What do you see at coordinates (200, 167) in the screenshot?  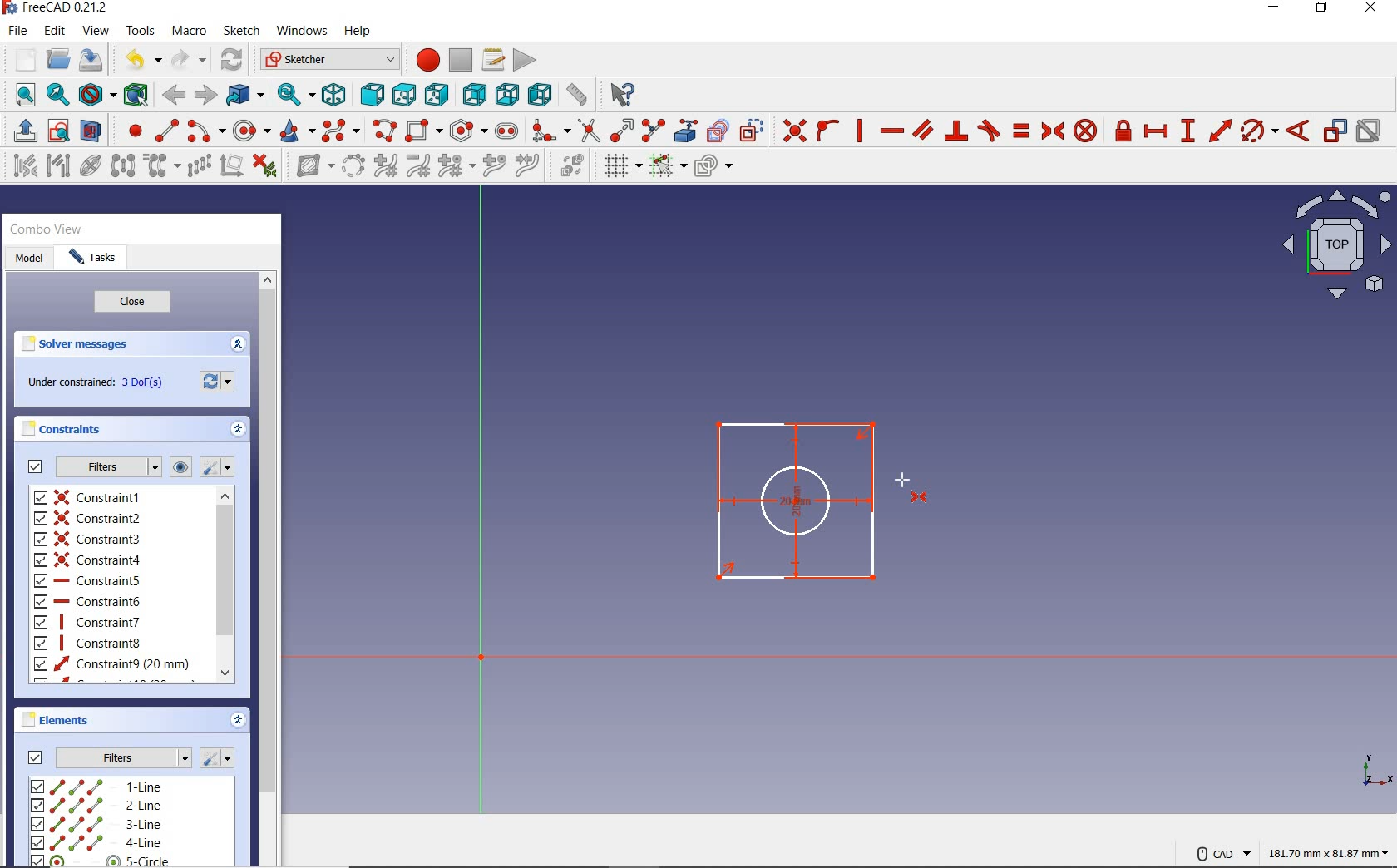 I see `rectangular array` at bounding box center [200, 167].